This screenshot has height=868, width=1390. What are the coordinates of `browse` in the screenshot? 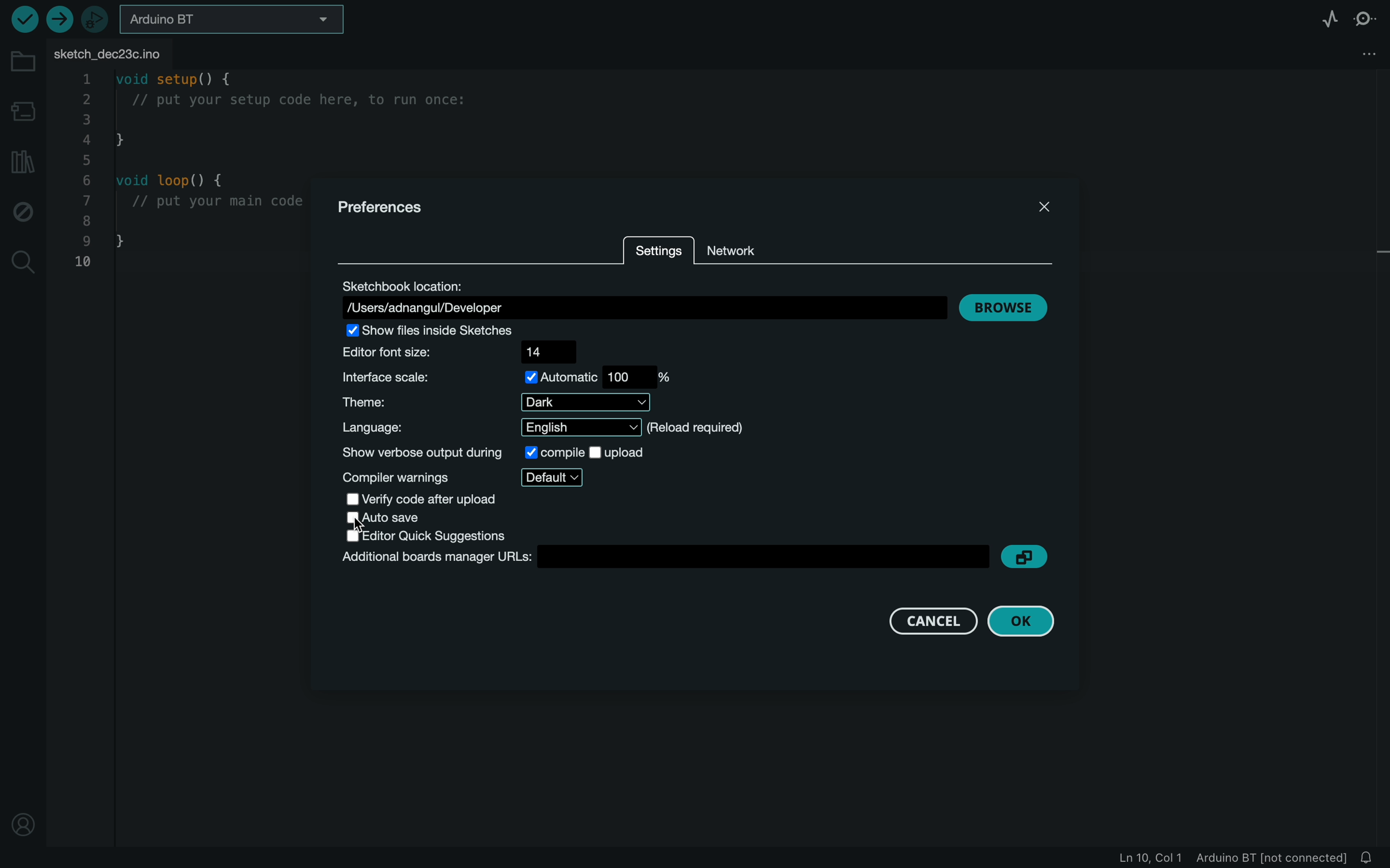 It's located at (1003, 308).